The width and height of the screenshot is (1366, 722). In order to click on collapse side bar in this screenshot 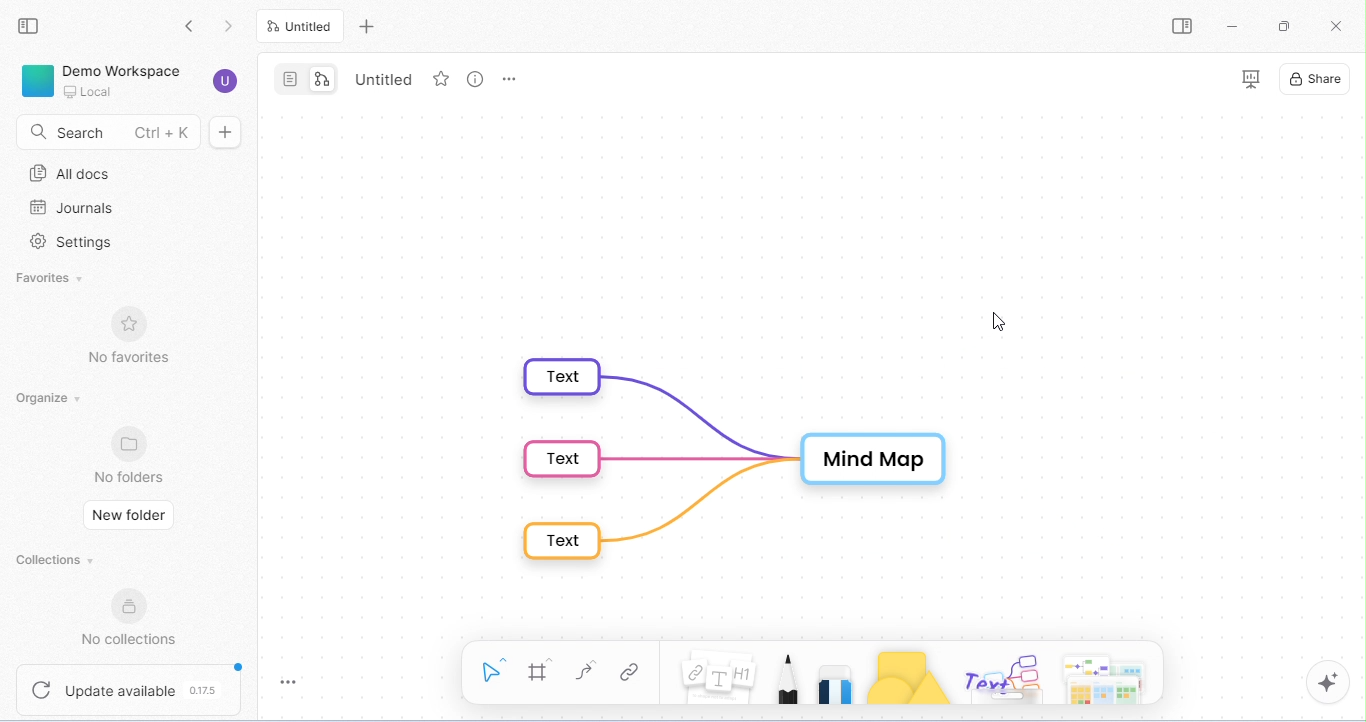, I will do `click(32, 27)`.